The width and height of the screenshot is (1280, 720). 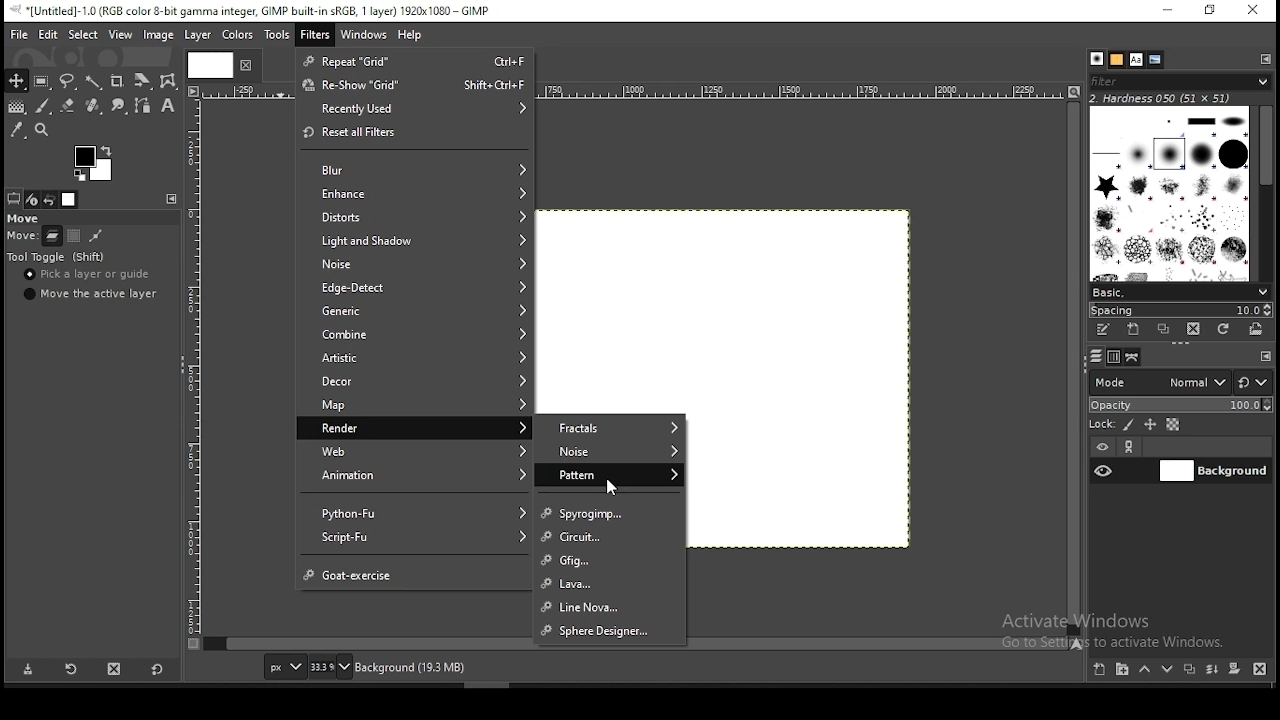 I want to click on new layer group, so click(x=1126, y=669).